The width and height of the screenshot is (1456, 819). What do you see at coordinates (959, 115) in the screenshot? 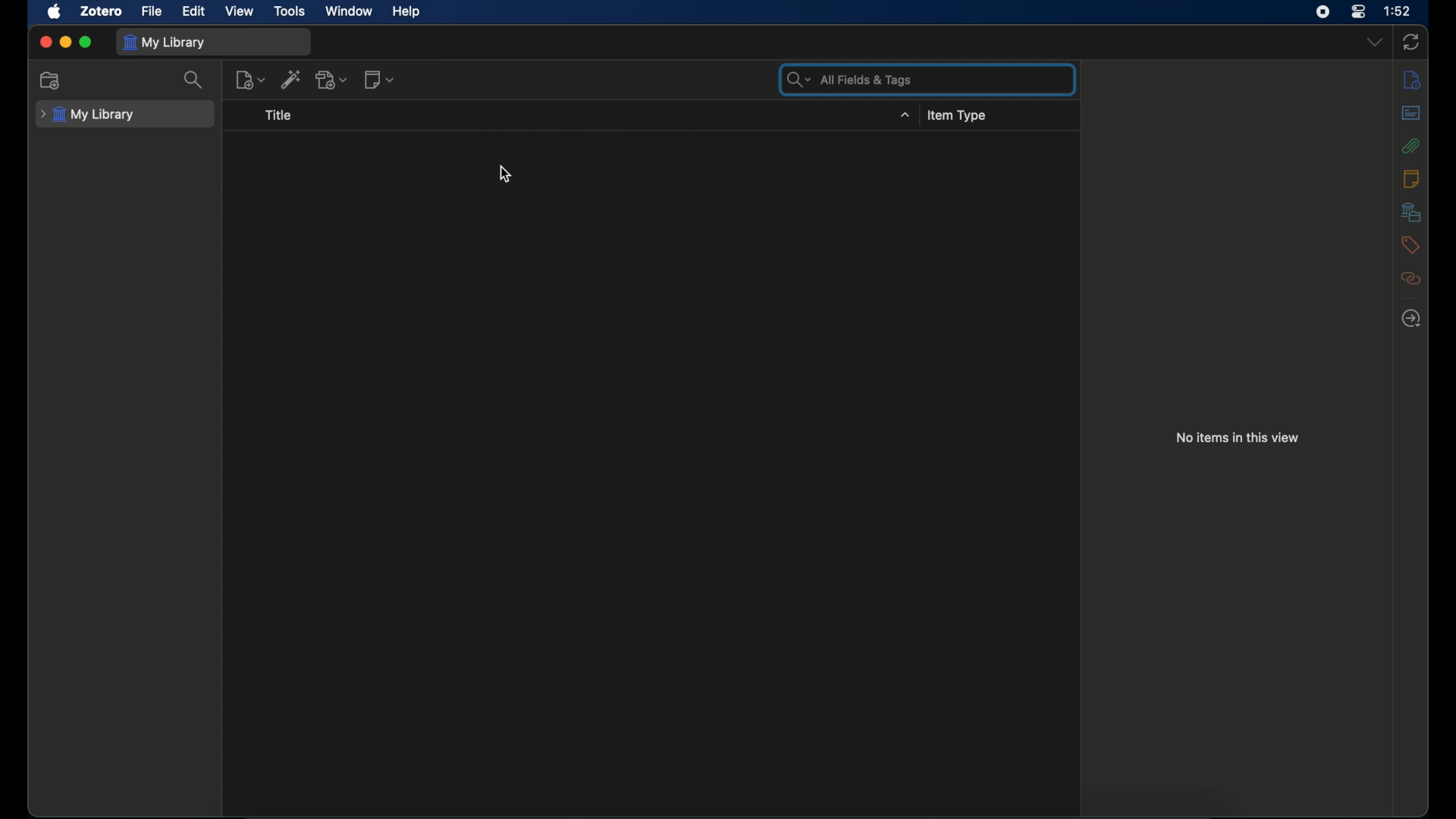
I see `item type` at bounding box center [959, 115].